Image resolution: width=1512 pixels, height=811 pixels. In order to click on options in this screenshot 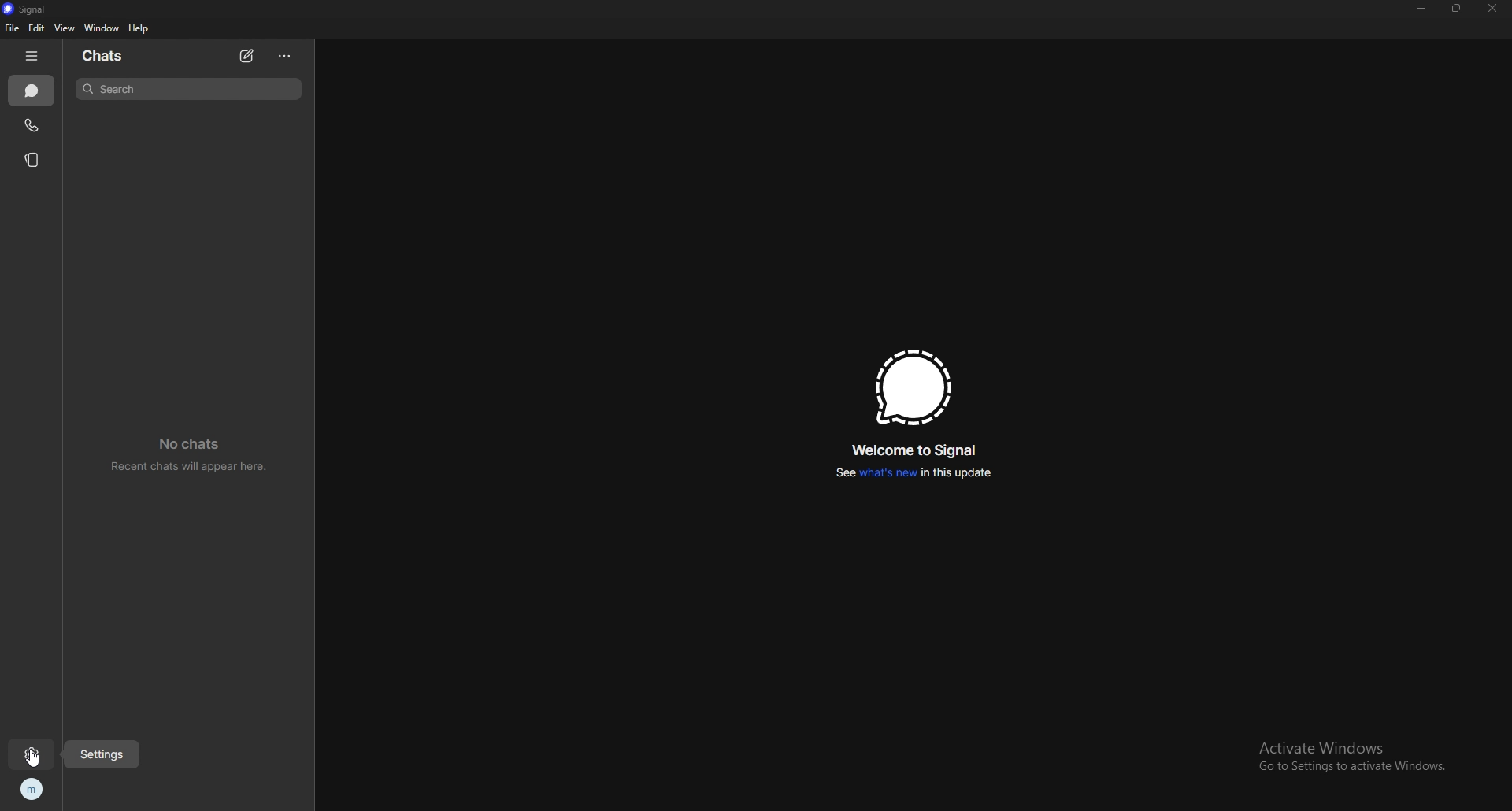, I will do `click(285, 55)`.